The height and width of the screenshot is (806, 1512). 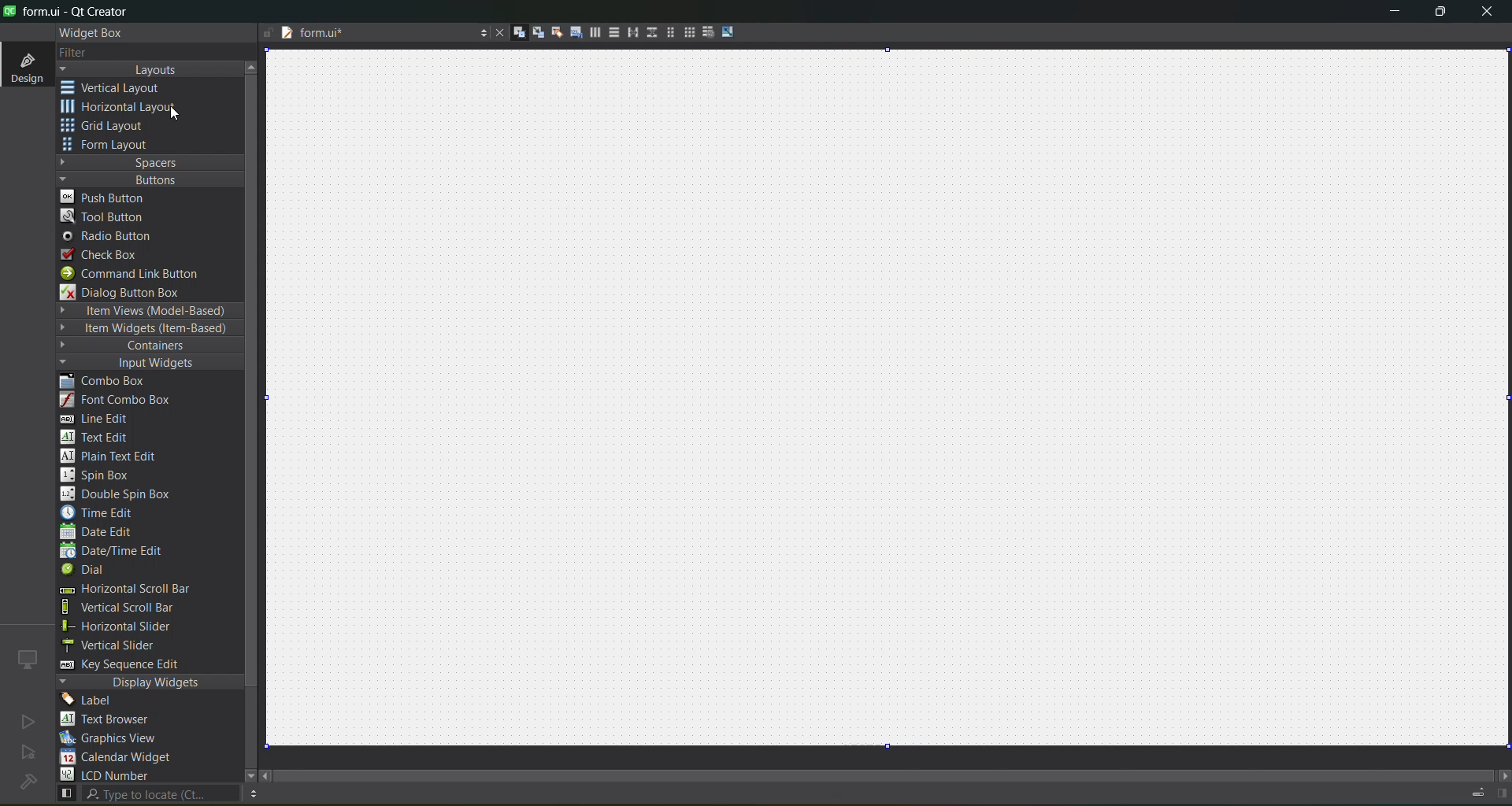 I want to click on edit buddies, so click(x=551, y=32).